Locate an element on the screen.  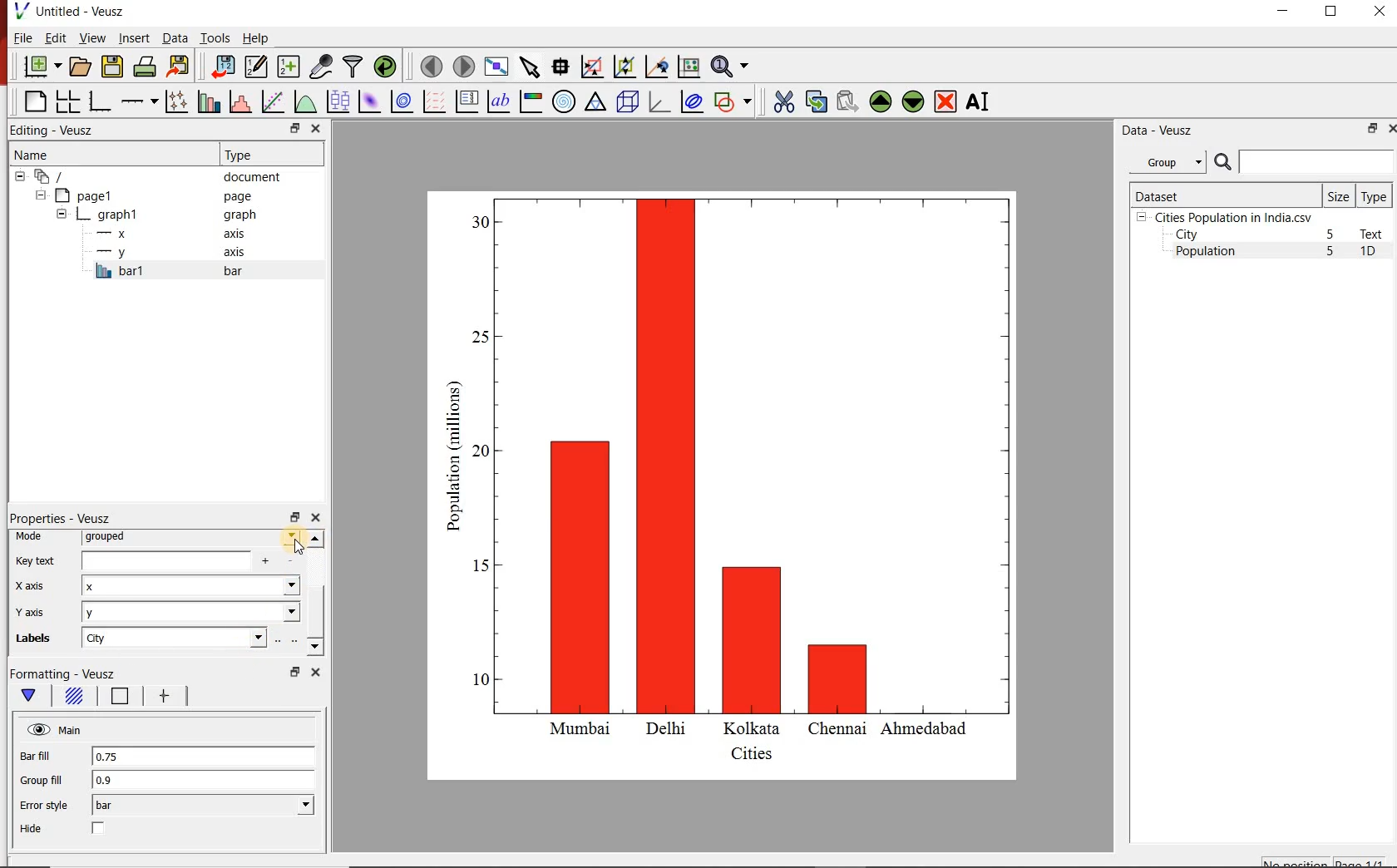
click or draw a rectangle to zoom graph indexes is located at coordinates (590, 66).